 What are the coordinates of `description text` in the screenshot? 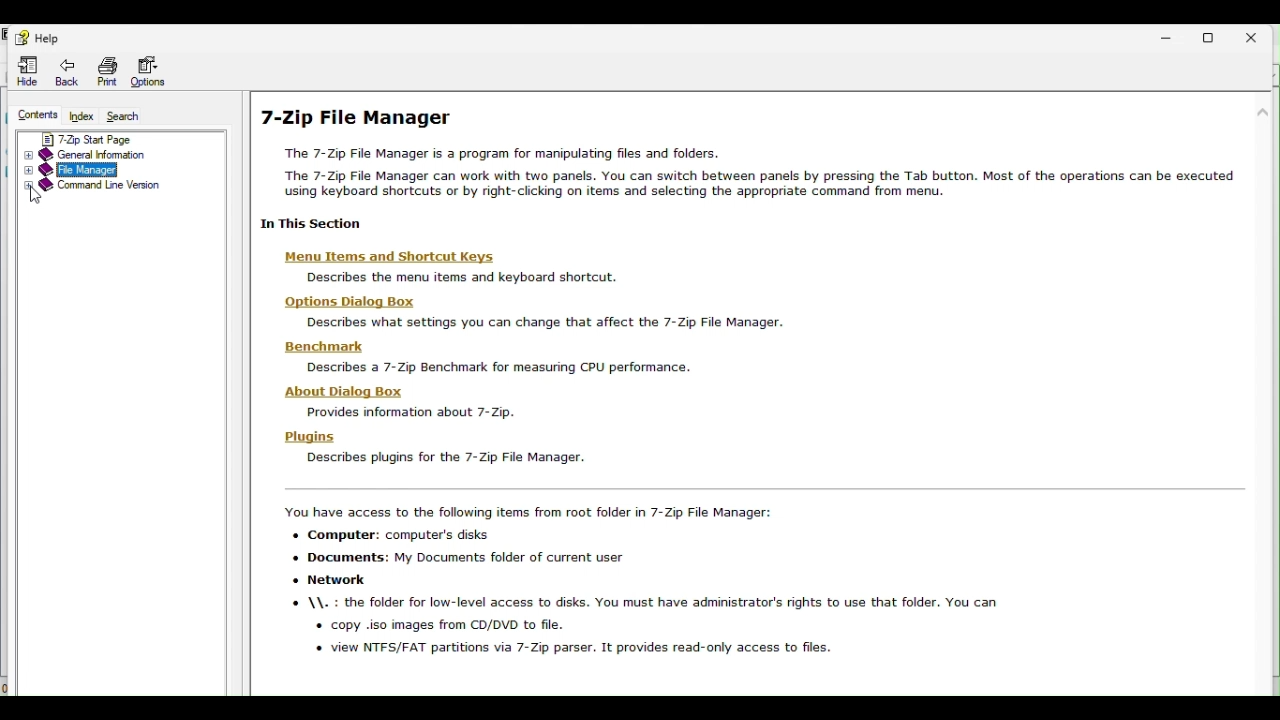 It's located at (561, 322).